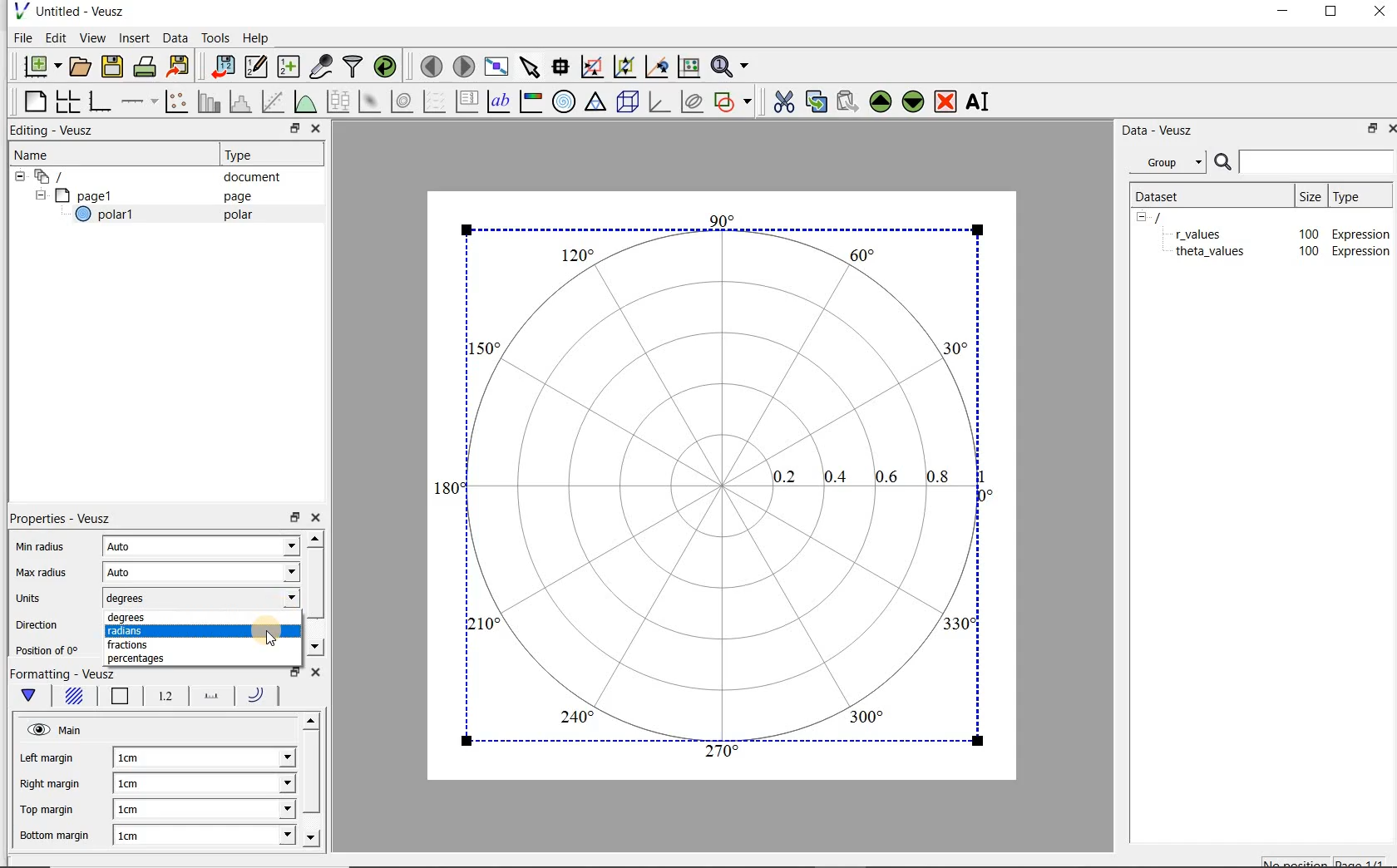 This screenshot has width=1397, height=868. What do you see at coordinates (1142, 216) in the screenshot?
I see `hide sub menu` at bounding box center [1142, 216].